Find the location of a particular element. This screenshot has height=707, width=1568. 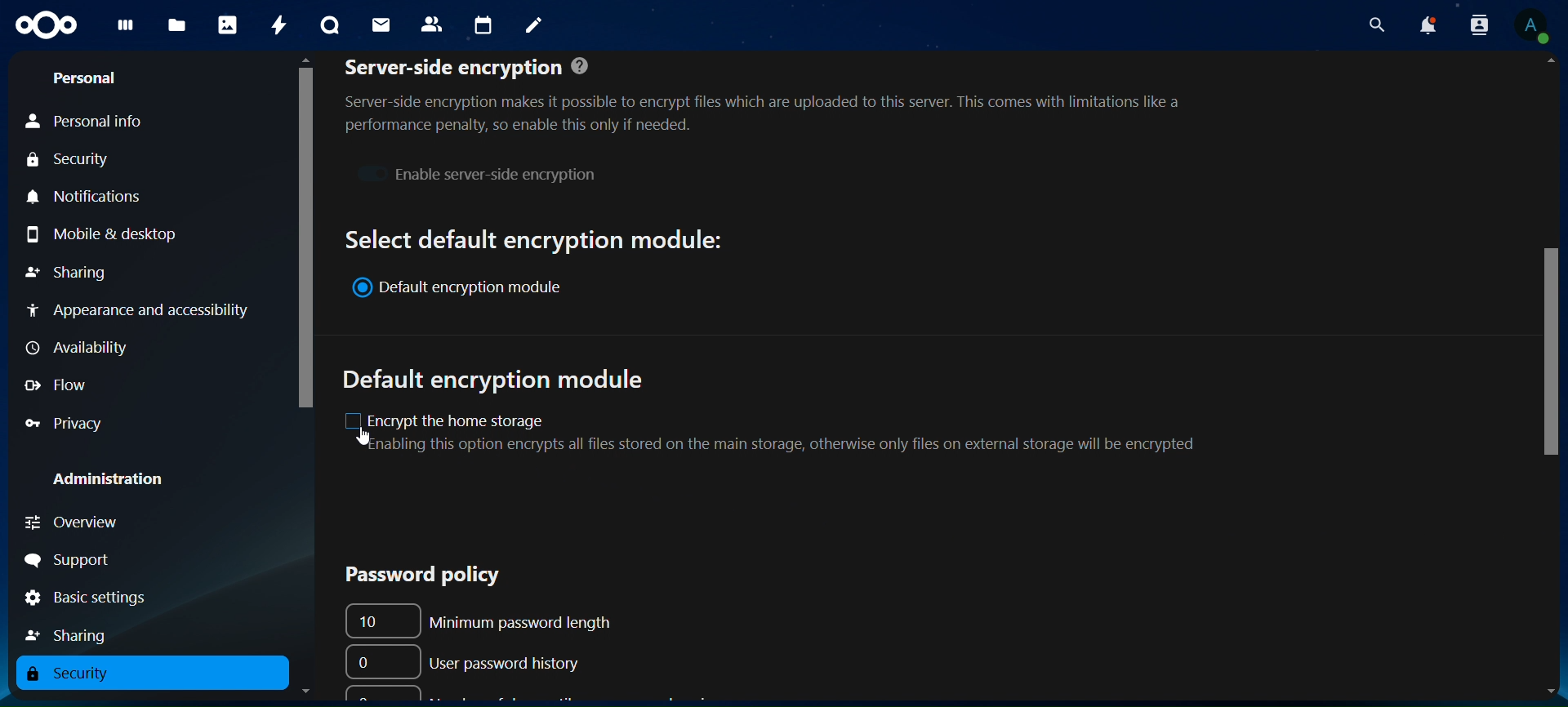

contact is located at coordinates (432, 23).